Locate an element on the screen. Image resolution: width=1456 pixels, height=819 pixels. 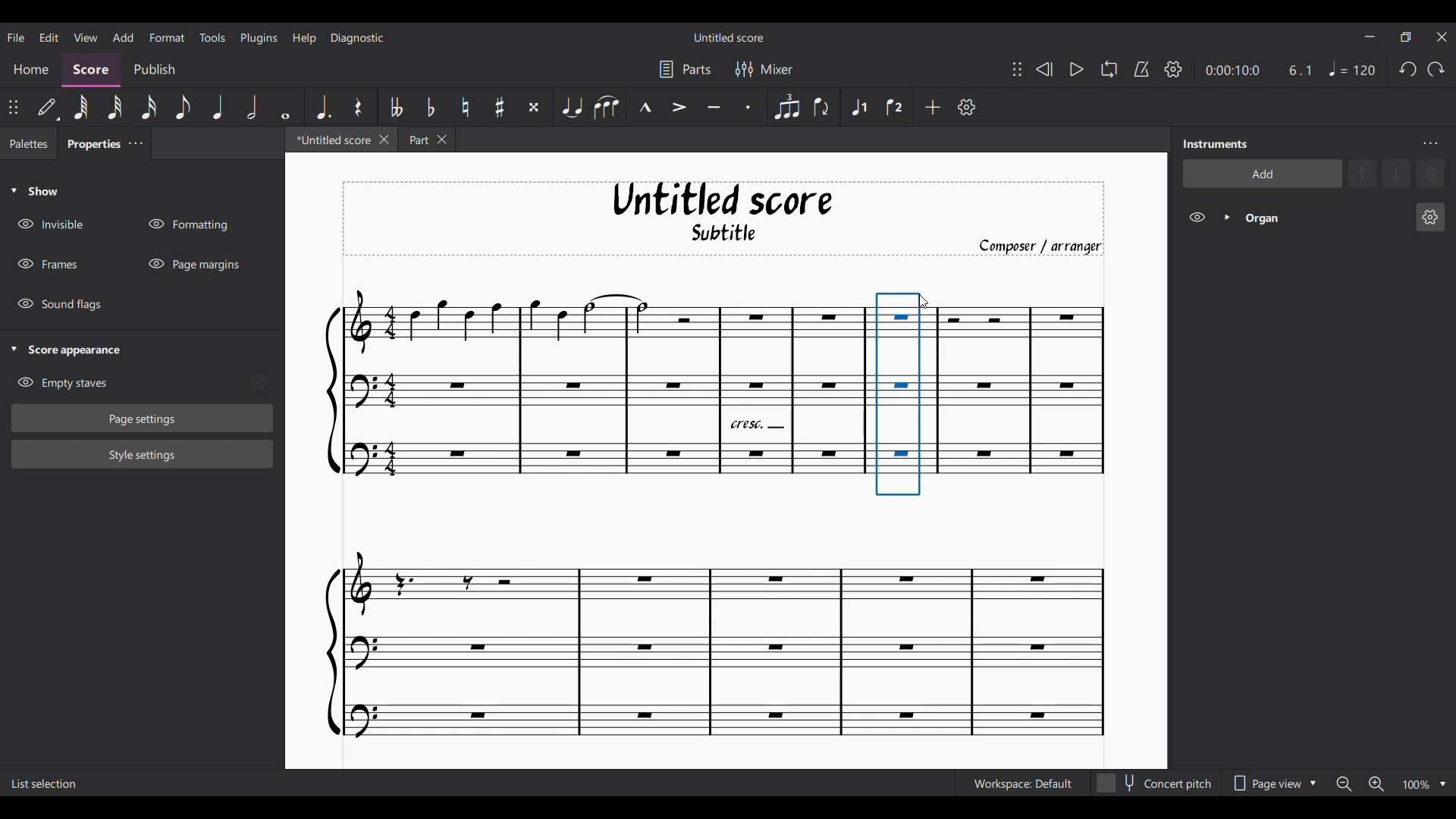
Organ settings is located at coordinates (1429, 217).